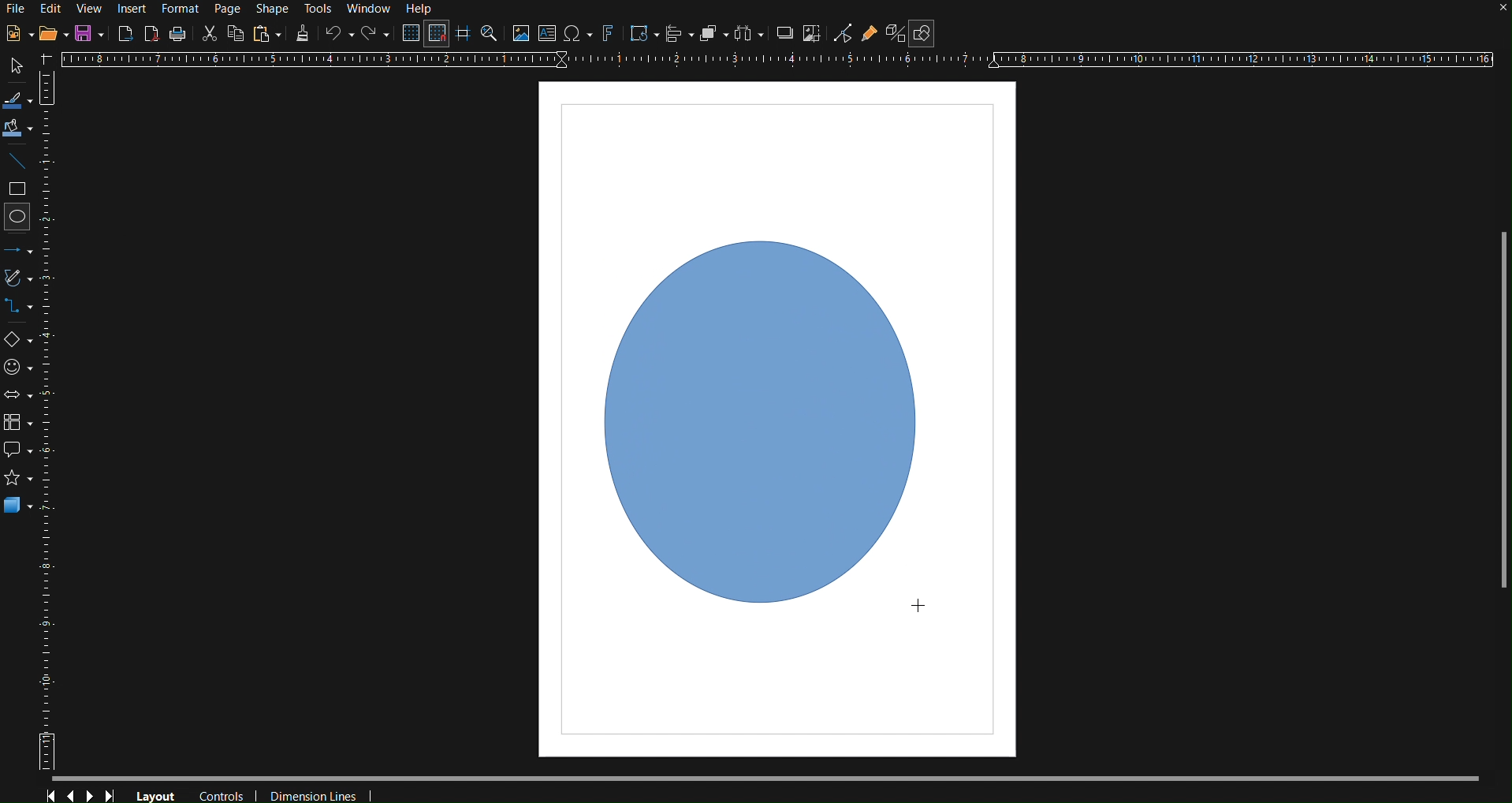 The image size is (1512, 803). What do you see at coordinates (811, 35) in the screenshot?
I see `Crop Image` at bounding box center [811, 35].